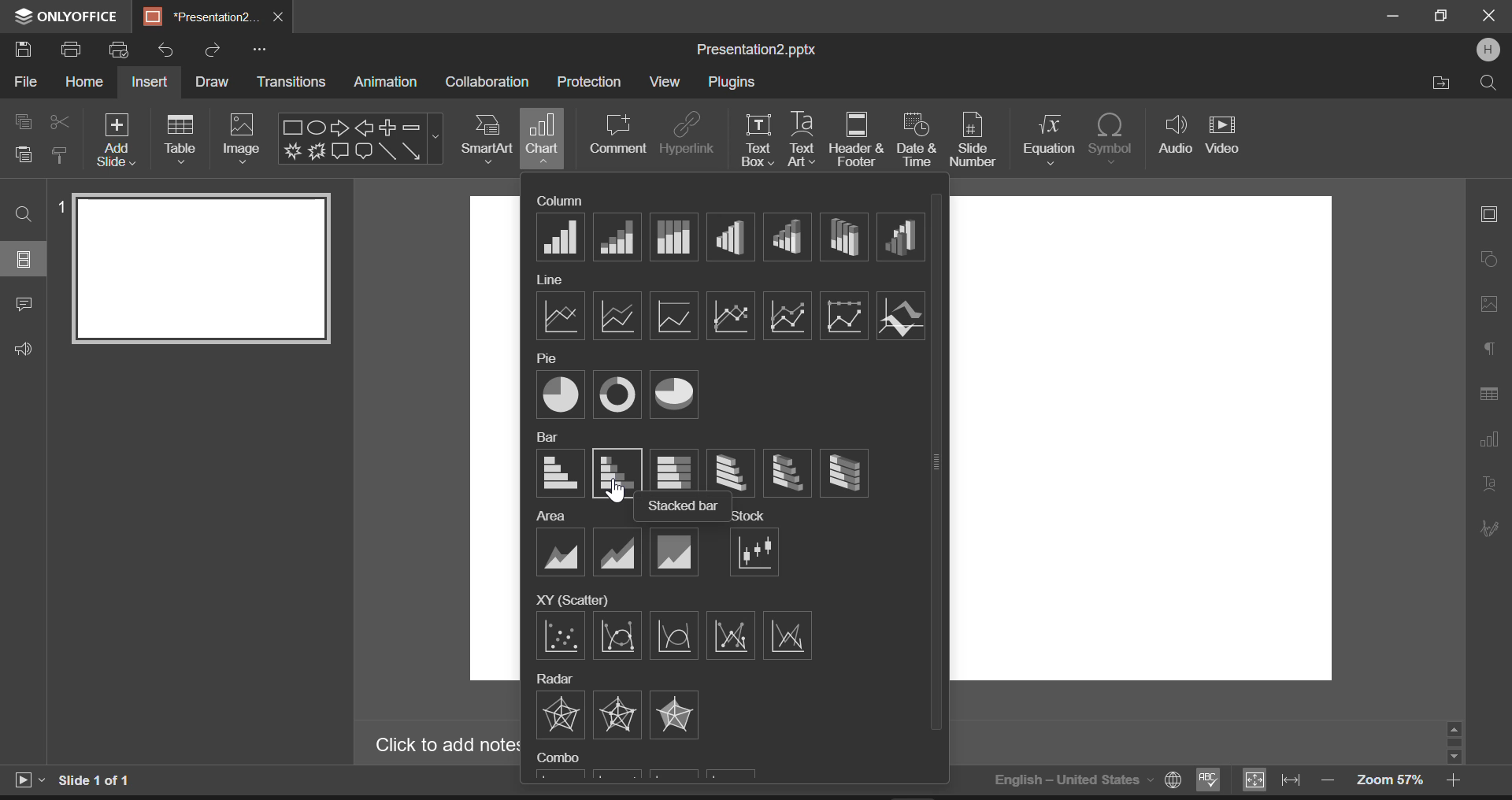  What do you see at coordinates (27, 50) in the screenshot?
I see `Save` at bounding box center [27, 50].